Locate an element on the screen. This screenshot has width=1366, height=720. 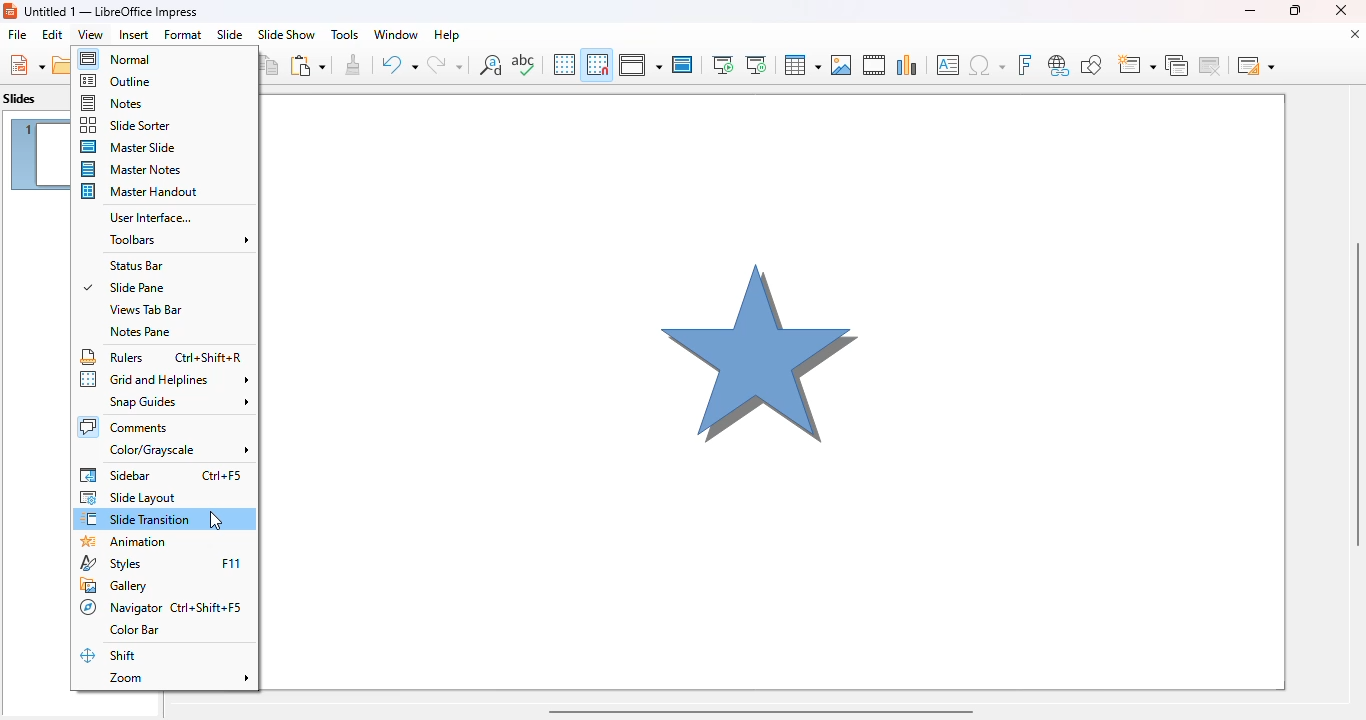
master notes is located at coordinates (131, 169).